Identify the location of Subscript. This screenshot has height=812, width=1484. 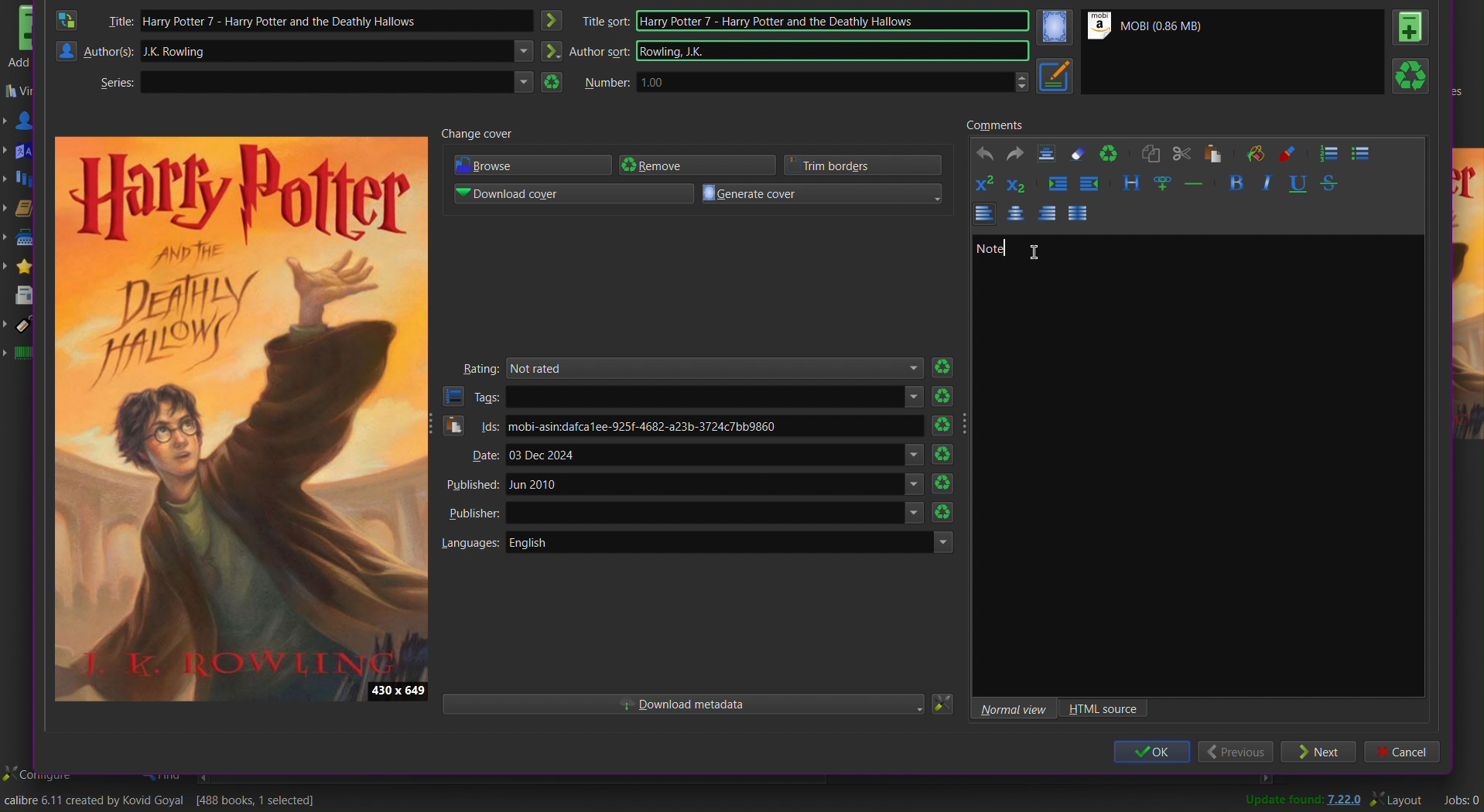
(1017, 184).